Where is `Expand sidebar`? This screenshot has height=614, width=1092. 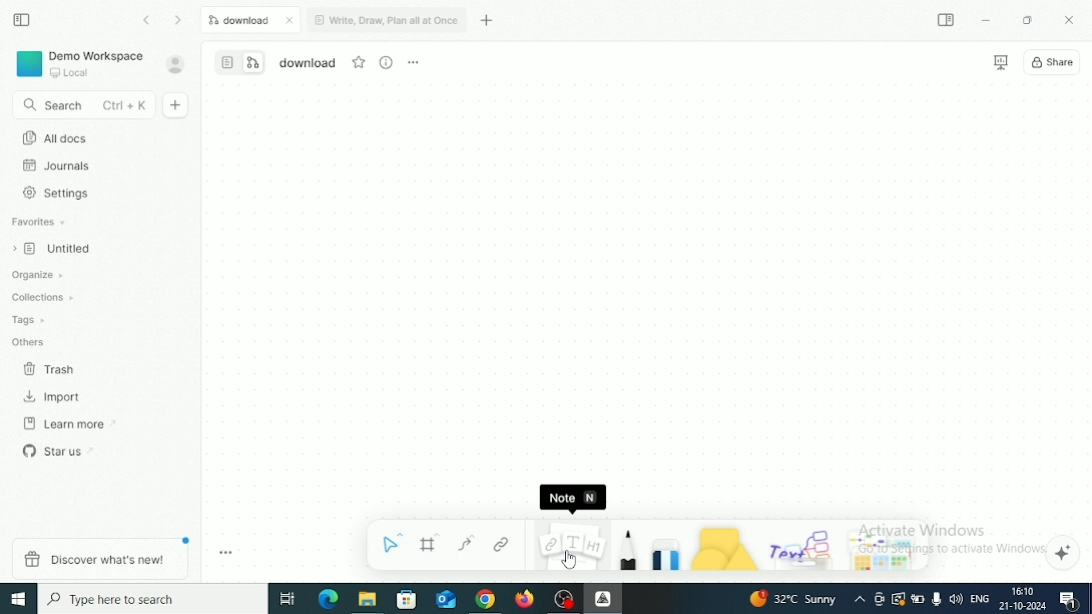
Expand sidebar is located at coordinates (947, 21).